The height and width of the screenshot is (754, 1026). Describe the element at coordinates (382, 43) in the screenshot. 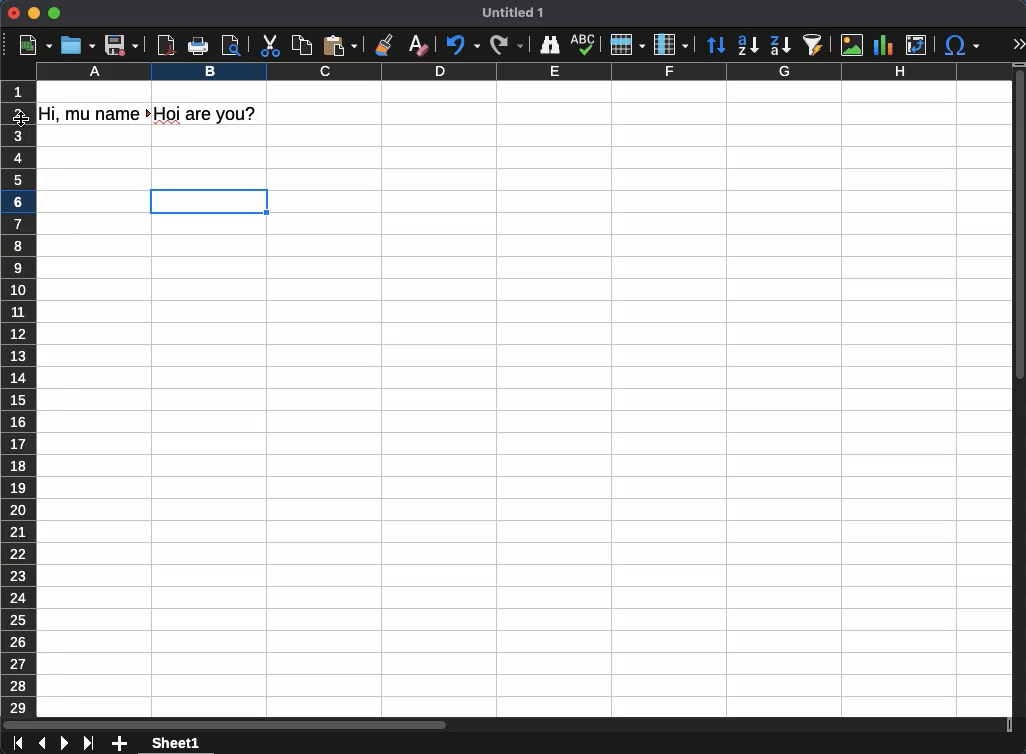

I see `clone formatting` at that location.